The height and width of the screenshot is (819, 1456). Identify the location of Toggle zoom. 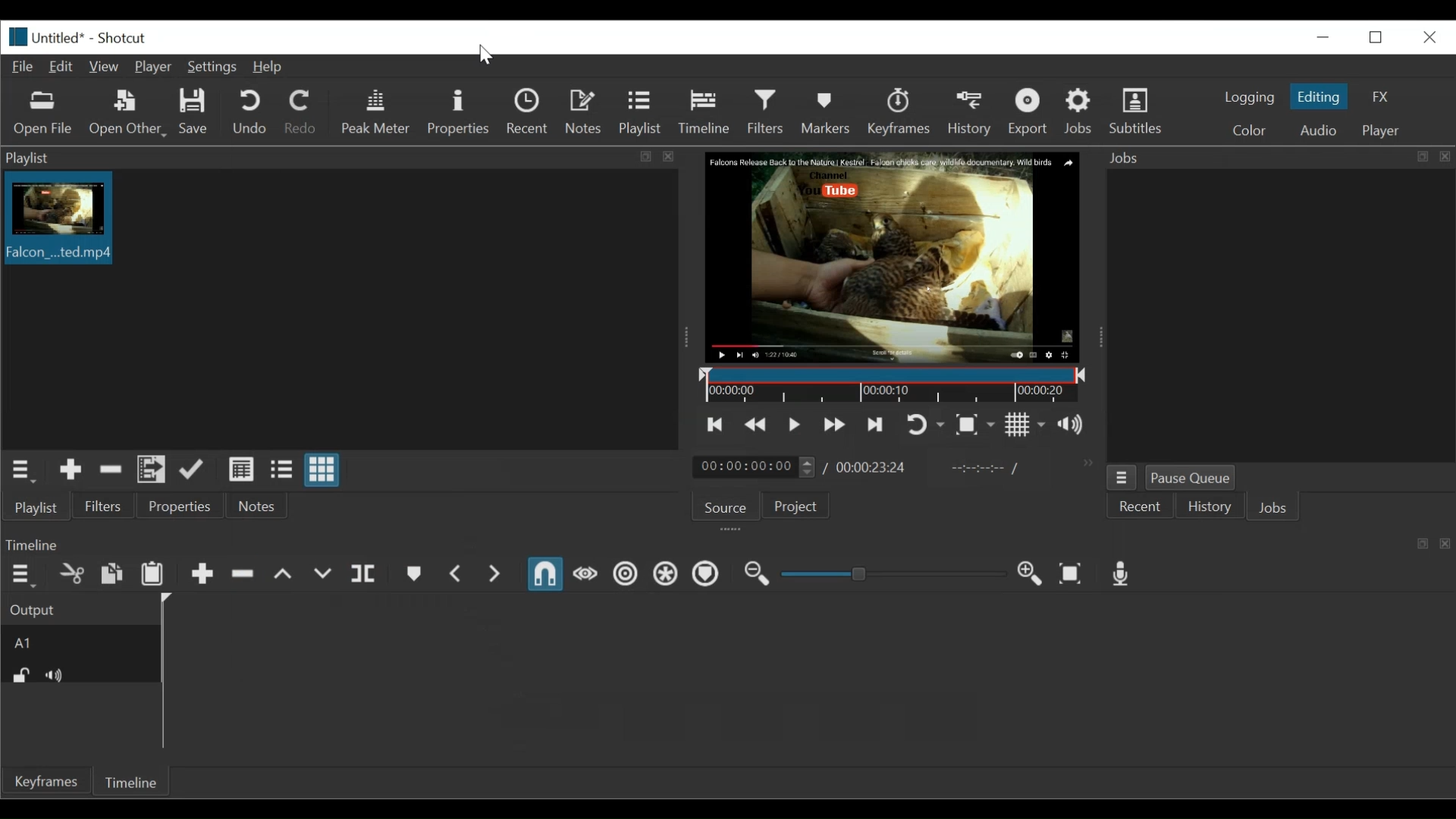
(977, 425).